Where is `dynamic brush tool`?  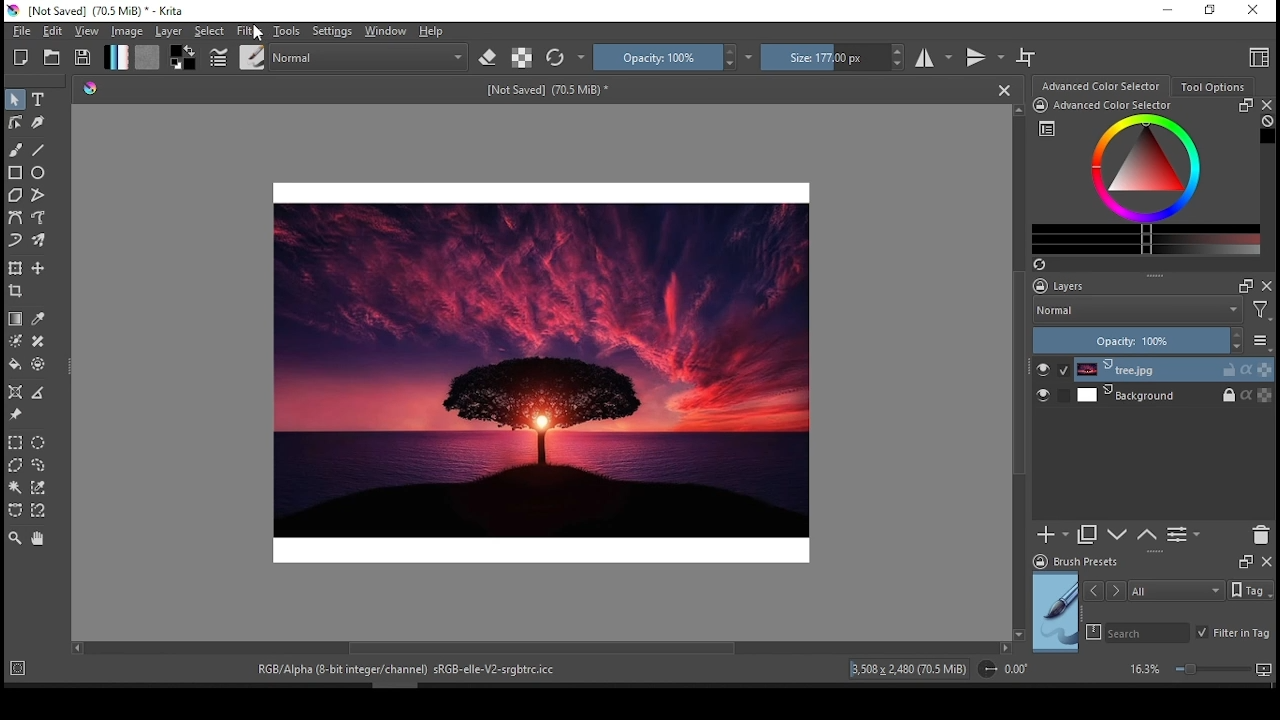 dynamic brush tool is located at coordinates (16, 241).